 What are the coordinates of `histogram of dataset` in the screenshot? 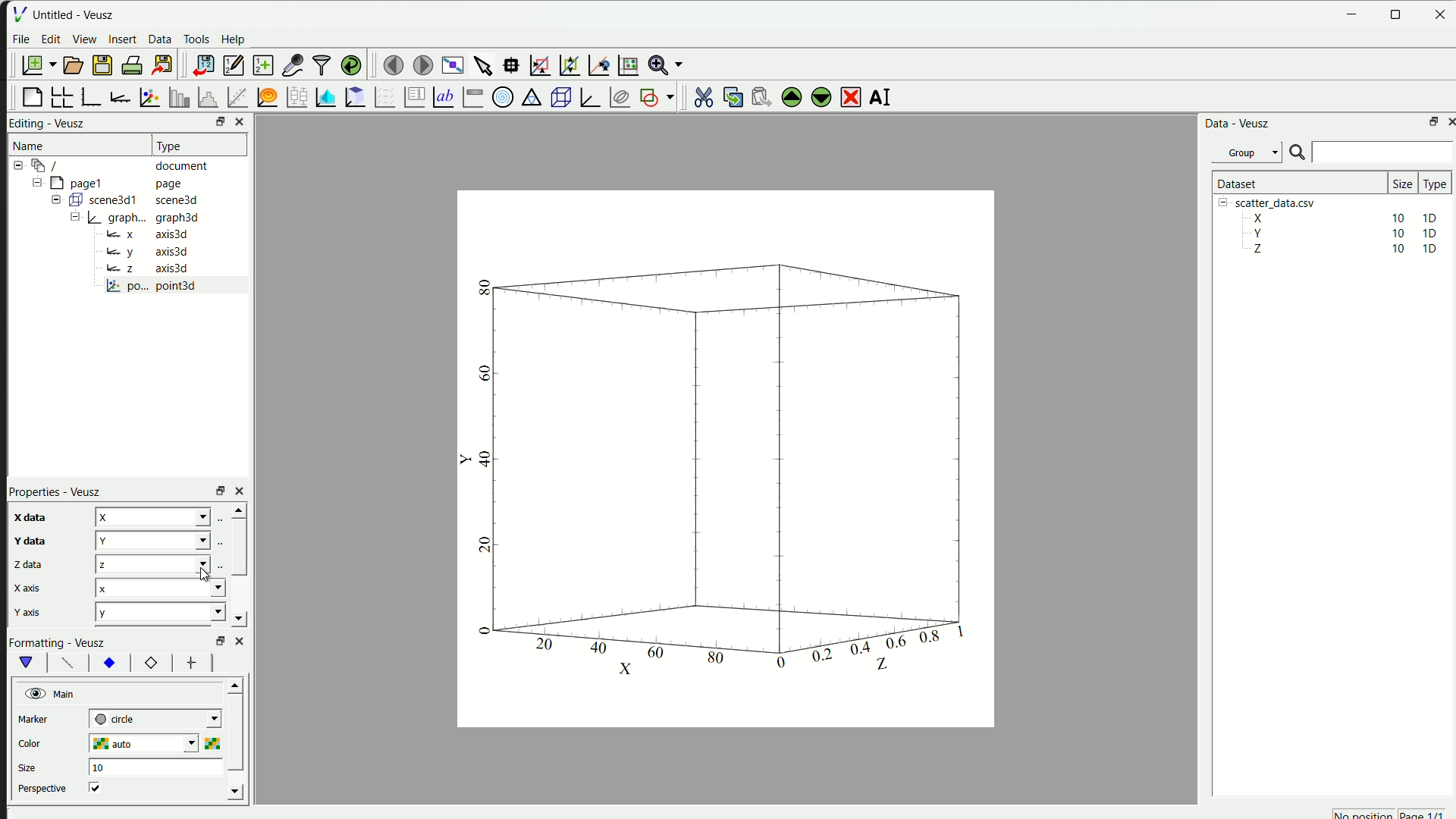 It's located at (205, 97).